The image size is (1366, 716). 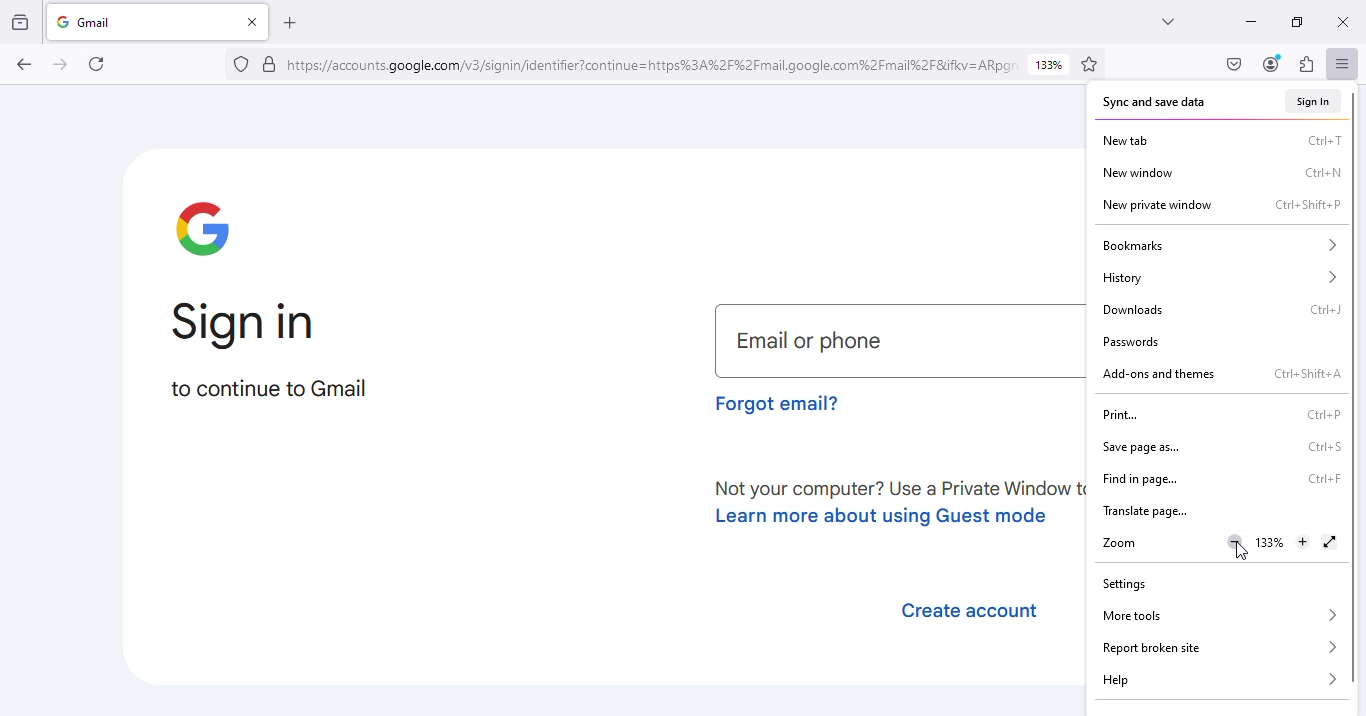 I want to click on new window, so click(x=1140, y=172).